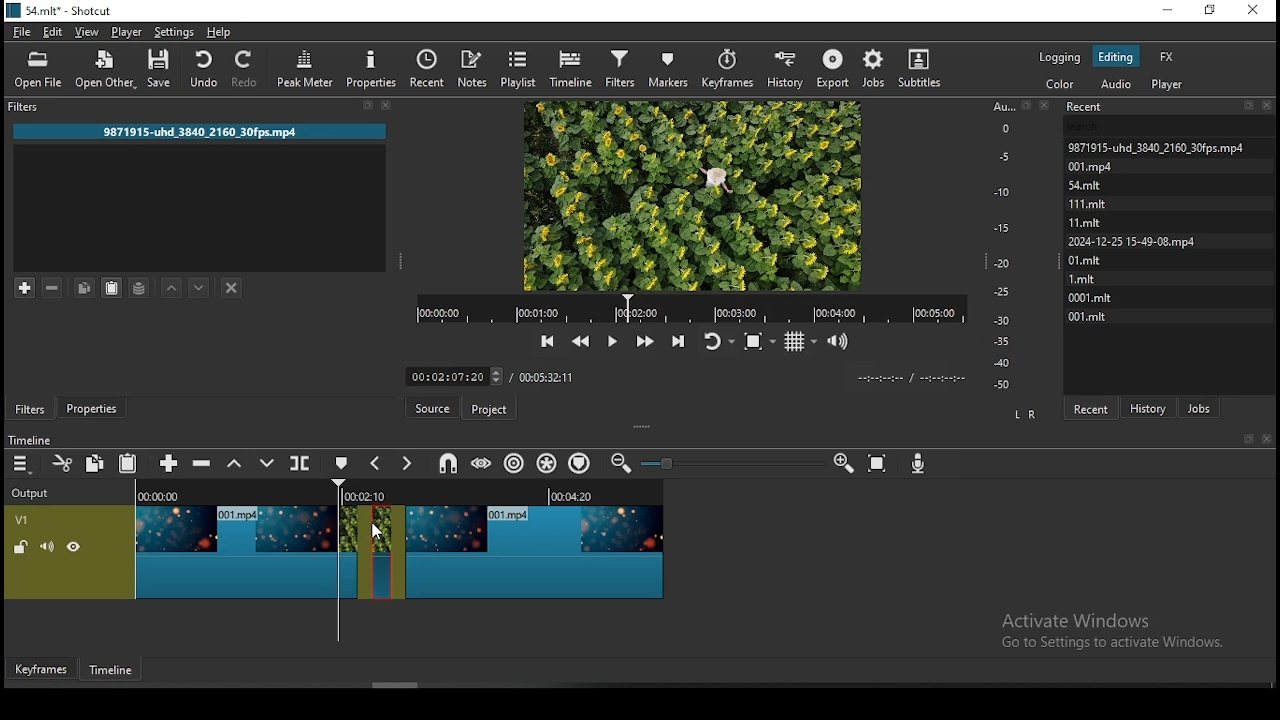  I want to click on timeline, so click(29, 440).